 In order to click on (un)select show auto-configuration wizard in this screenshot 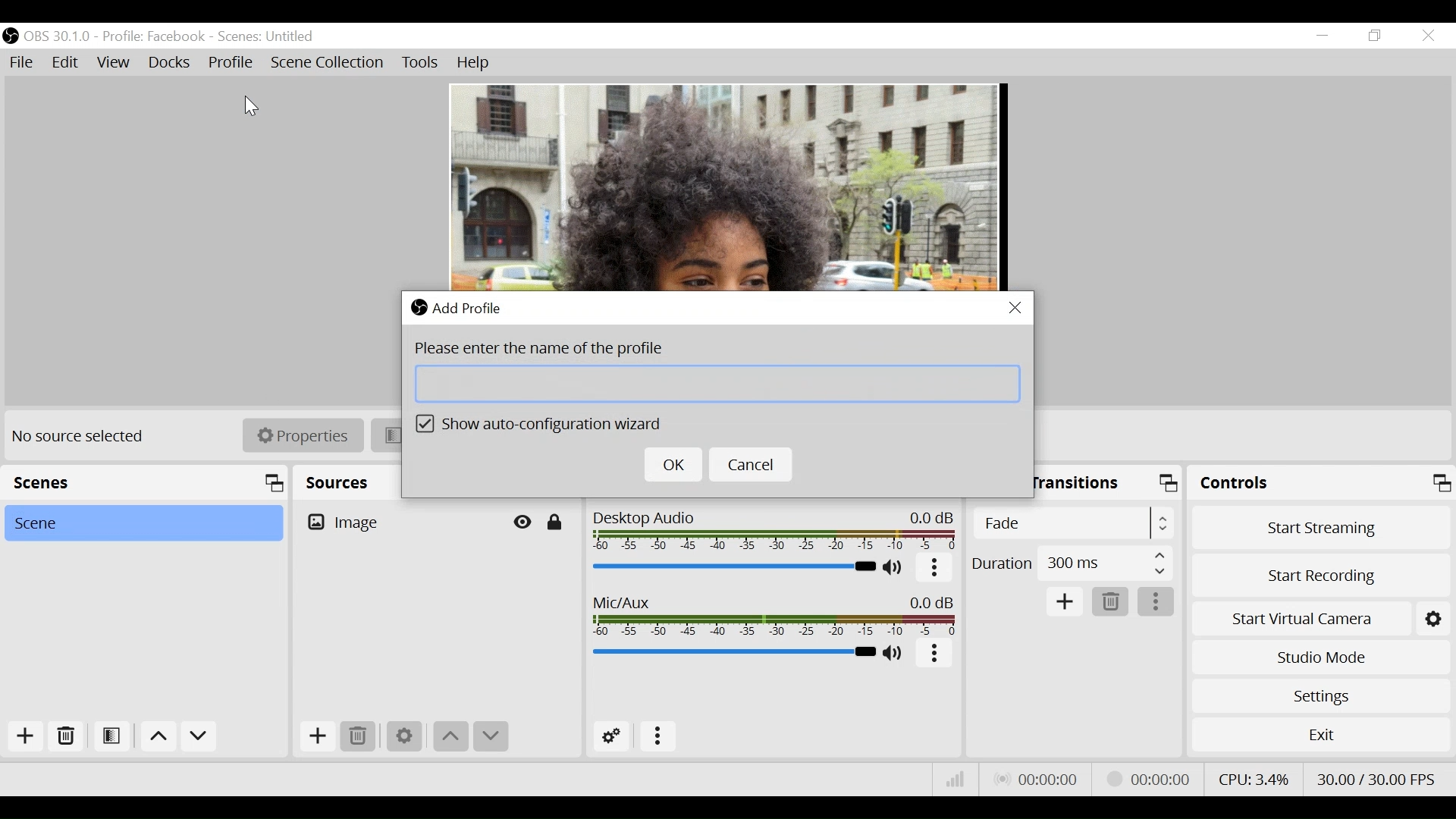, I will do `click(544, 425)`.